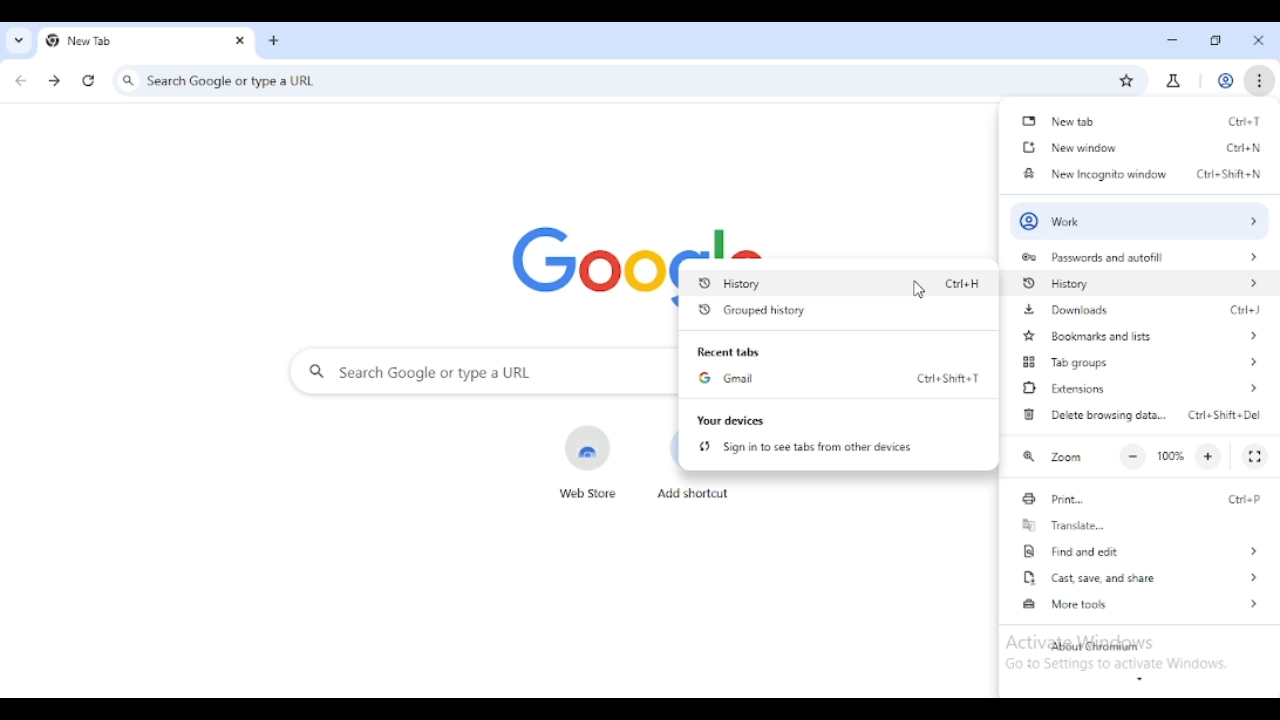  Describe the element at coordinates (919, 290) in the screenshot. I see `cursor` at that location.